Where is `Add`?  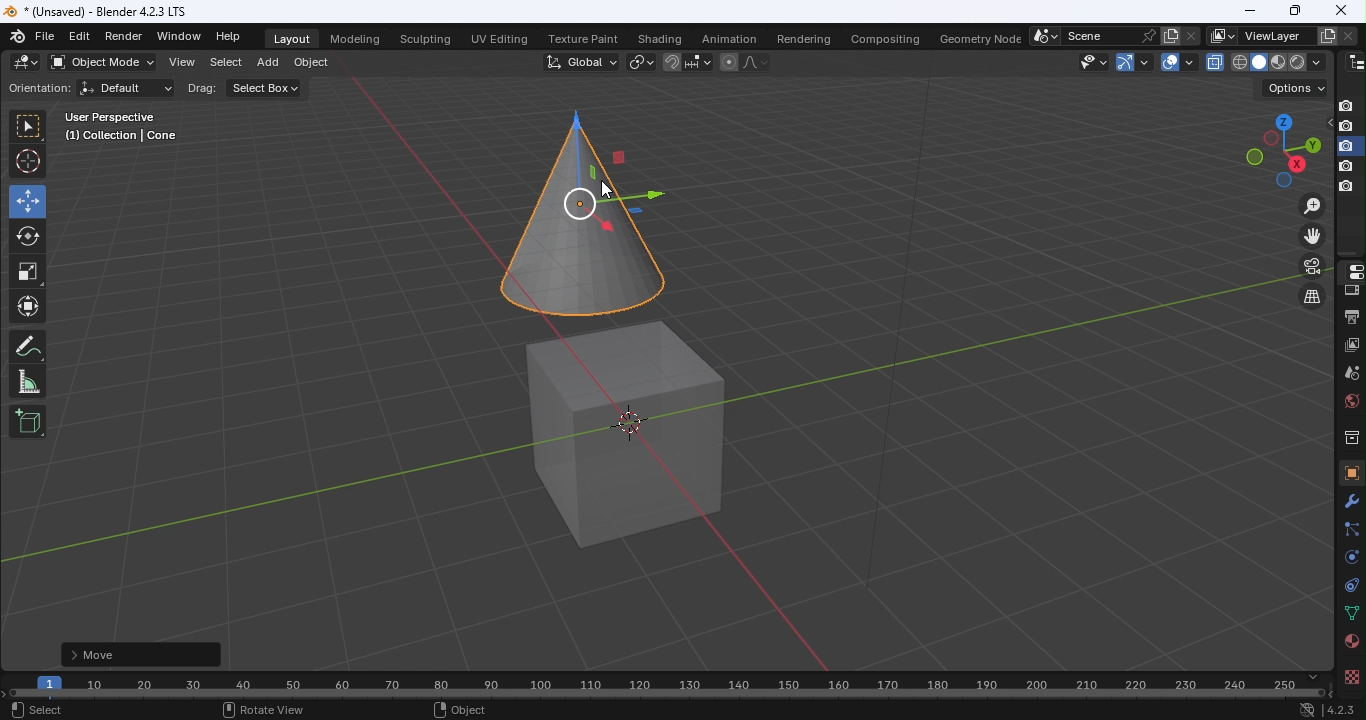
Add is located at coordinates (268, 65).